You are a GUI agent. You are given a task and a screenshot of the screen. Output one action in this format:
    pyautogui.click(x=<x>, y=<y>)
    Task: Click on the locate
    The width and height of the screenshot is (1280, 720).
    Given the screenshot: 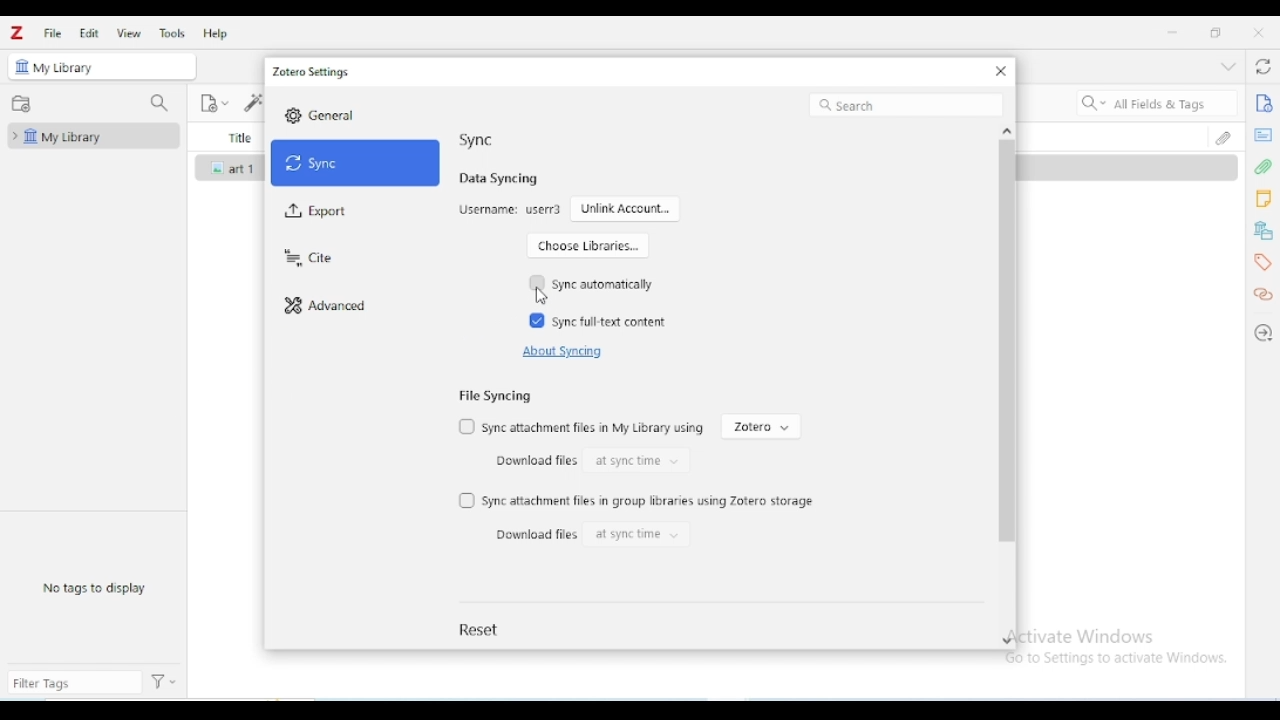 What is the action you would take?
    pyautogui.click(x=1264, y=333)
    